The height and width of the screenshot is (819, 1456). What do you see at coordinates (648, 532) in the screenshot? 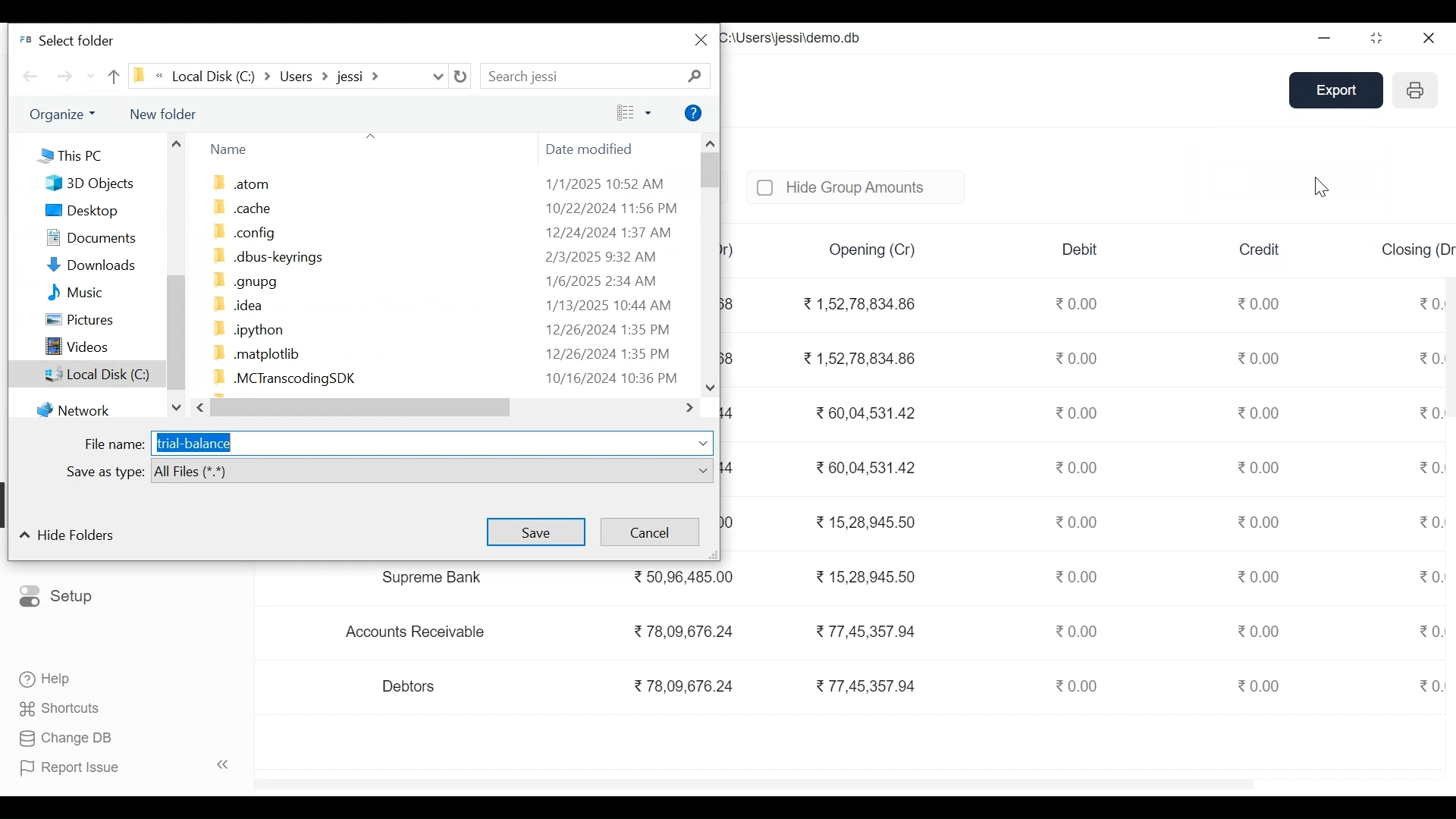
I see `Cancel` at bounding box center [648, 532].